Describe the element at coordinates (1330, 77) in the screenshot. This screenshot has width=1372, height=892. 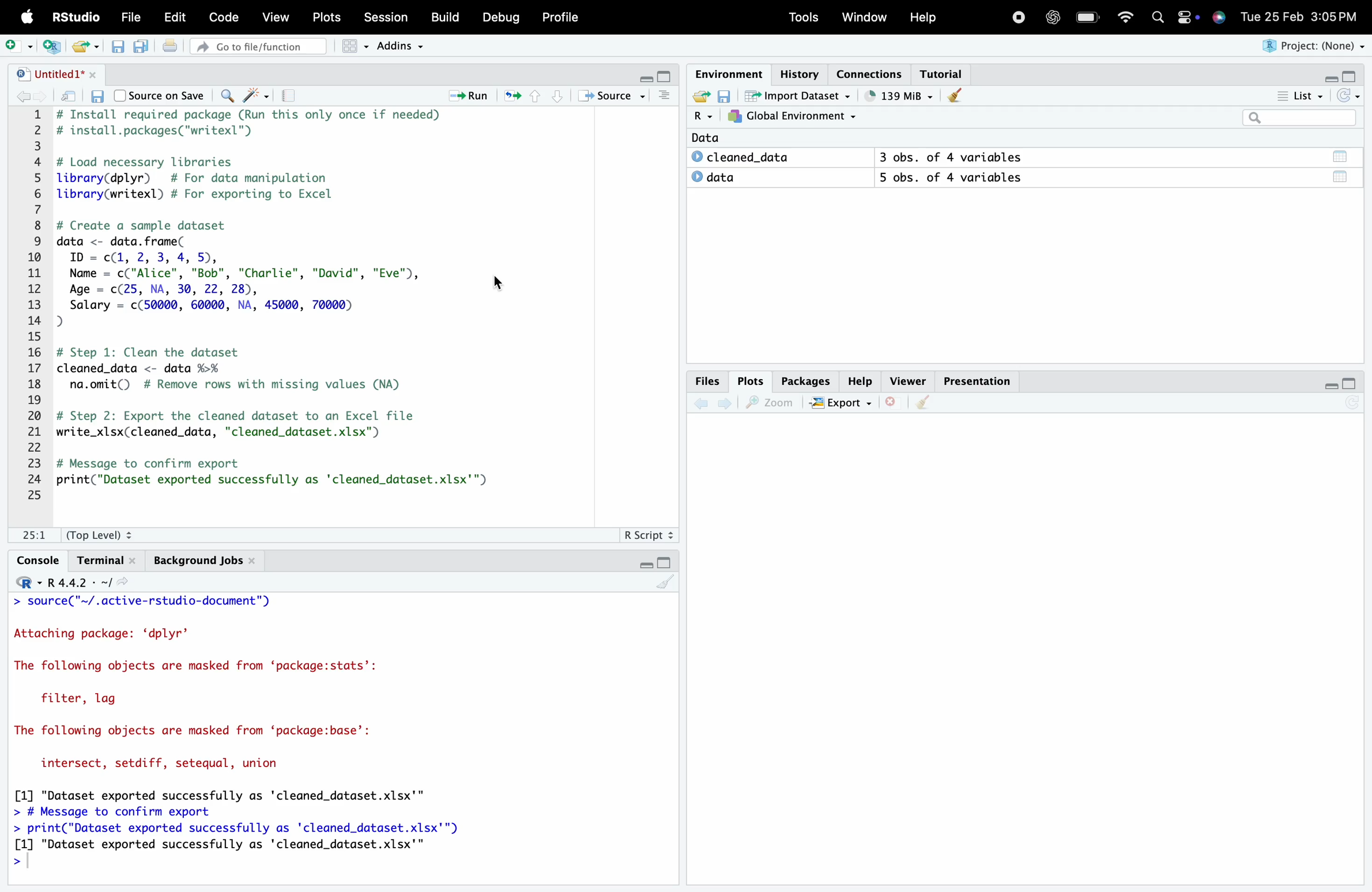
I see `Minimize` at that location.